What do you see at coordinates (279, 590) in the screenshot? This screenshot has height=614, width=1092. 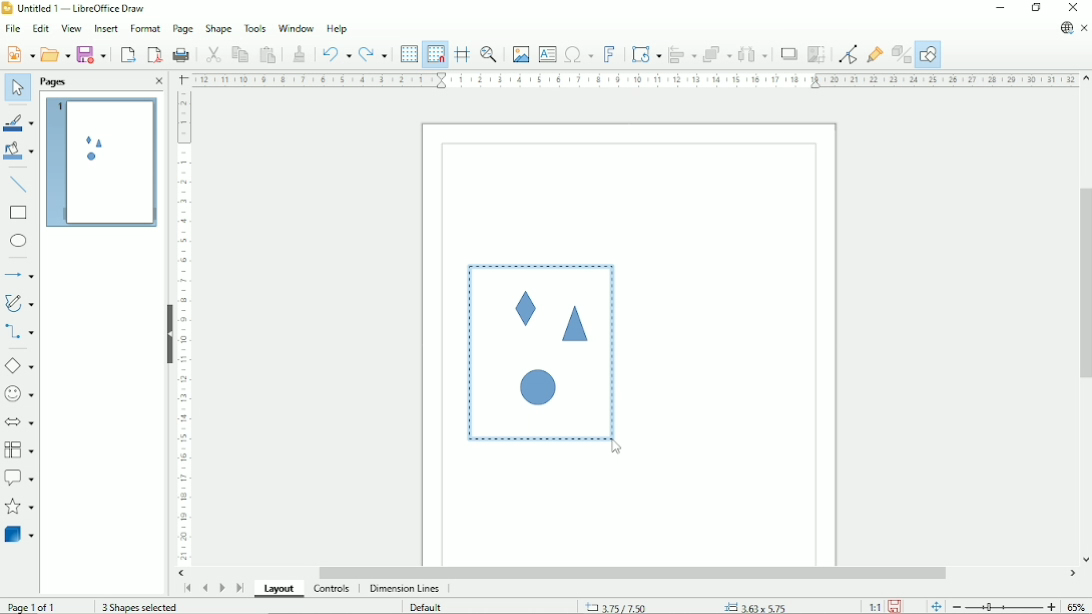 I see `Layout` at bounding box center [279, 590].